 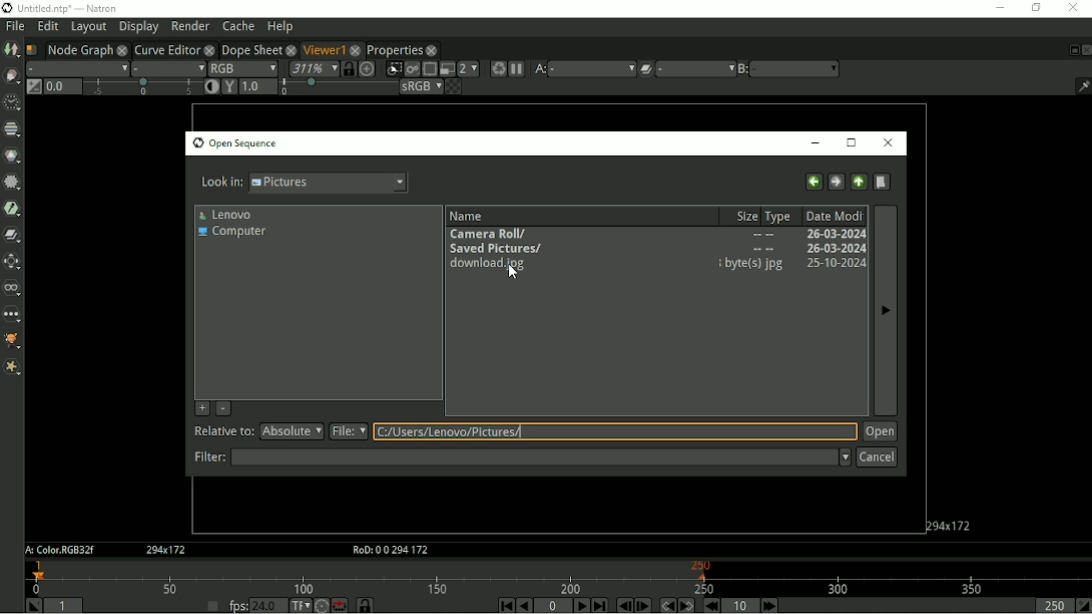 What do you see at coordinates (13, 234) in the screenshot?
I see `Merge` at bounding box center [13, 234].